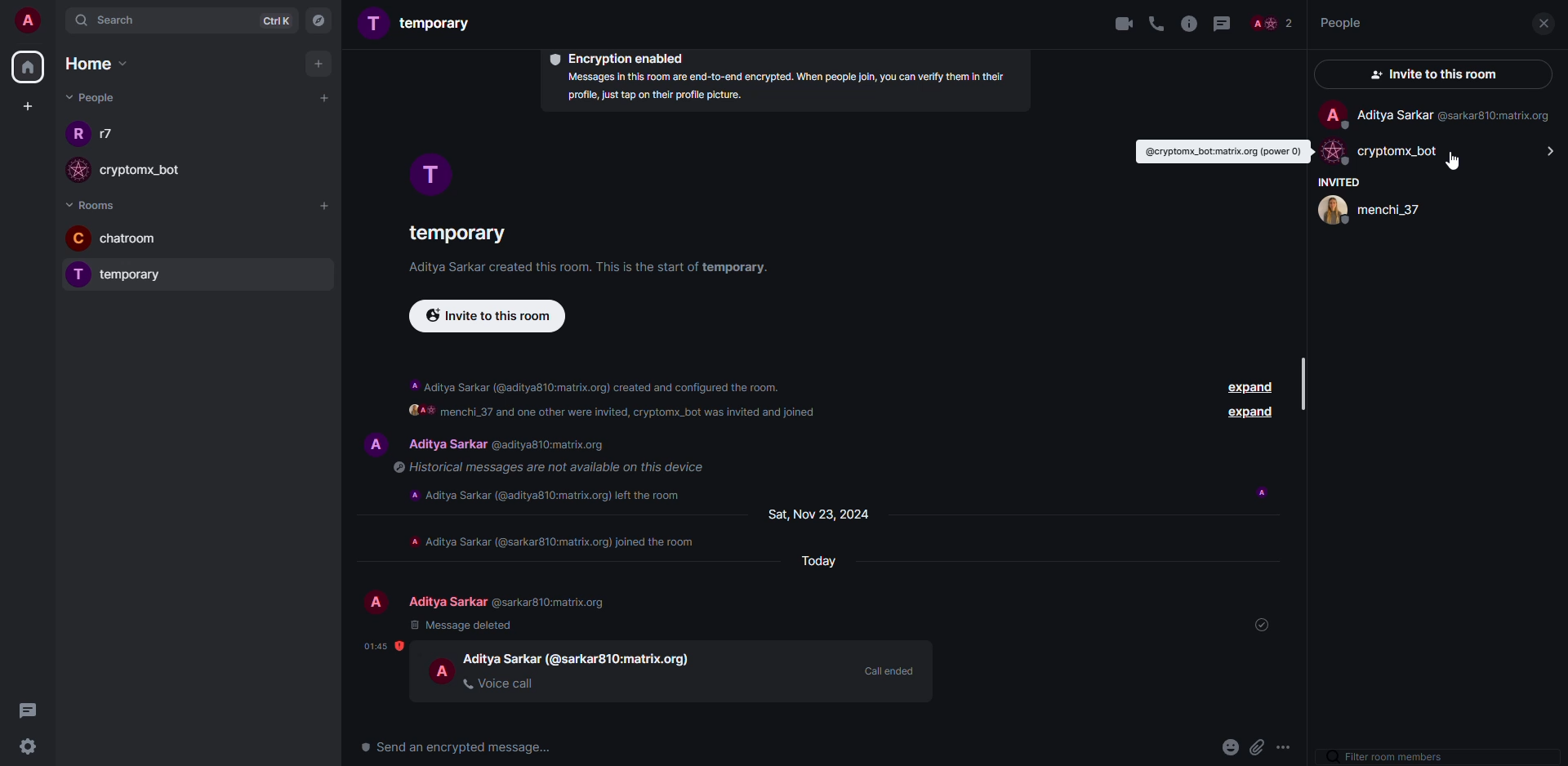 Image resolution: width=1568 pixels, height=766 pixels. I want to click on search, so click(111, 24).